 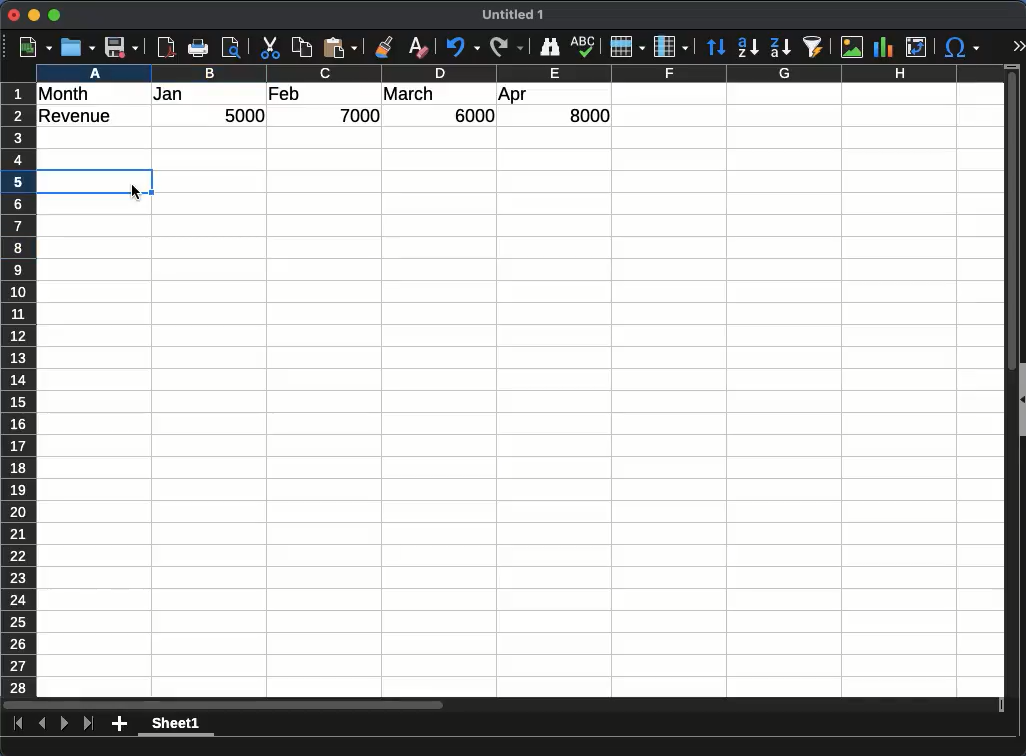 What do you see at coordinates (76, 116) in the screenshot?
I see `revenue ` at bounding box center [76, 116].